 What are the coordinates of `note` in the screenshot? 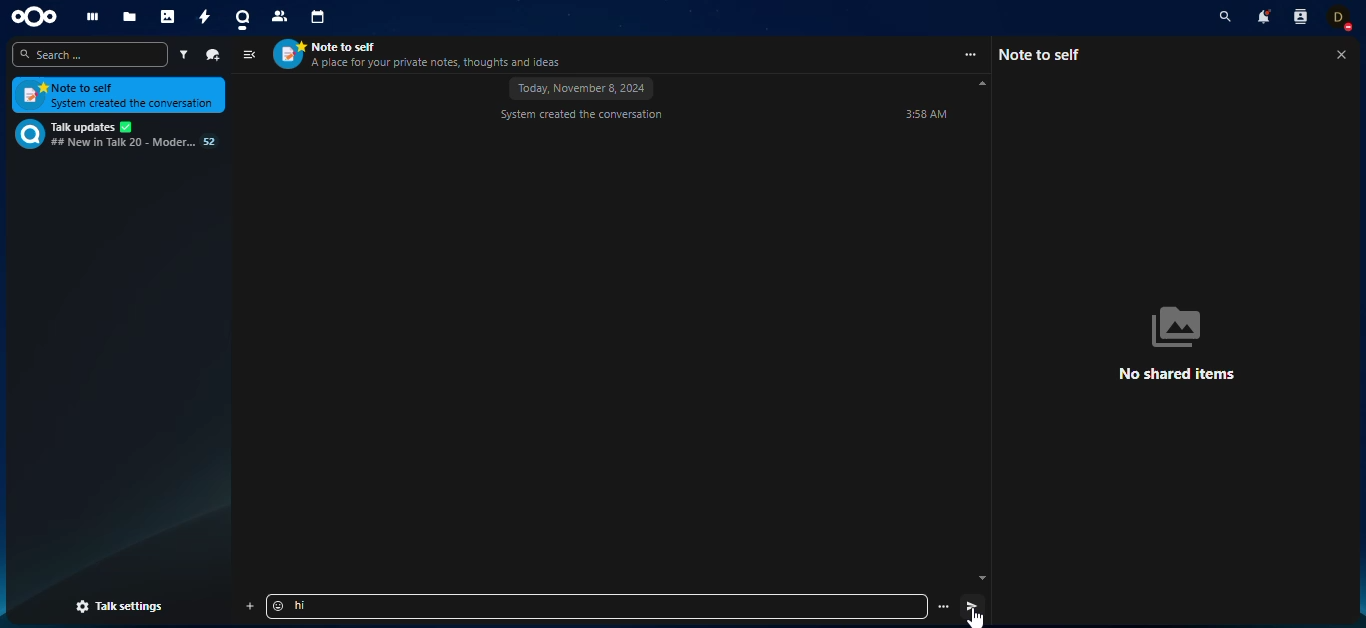 It's located at (1046, 54).